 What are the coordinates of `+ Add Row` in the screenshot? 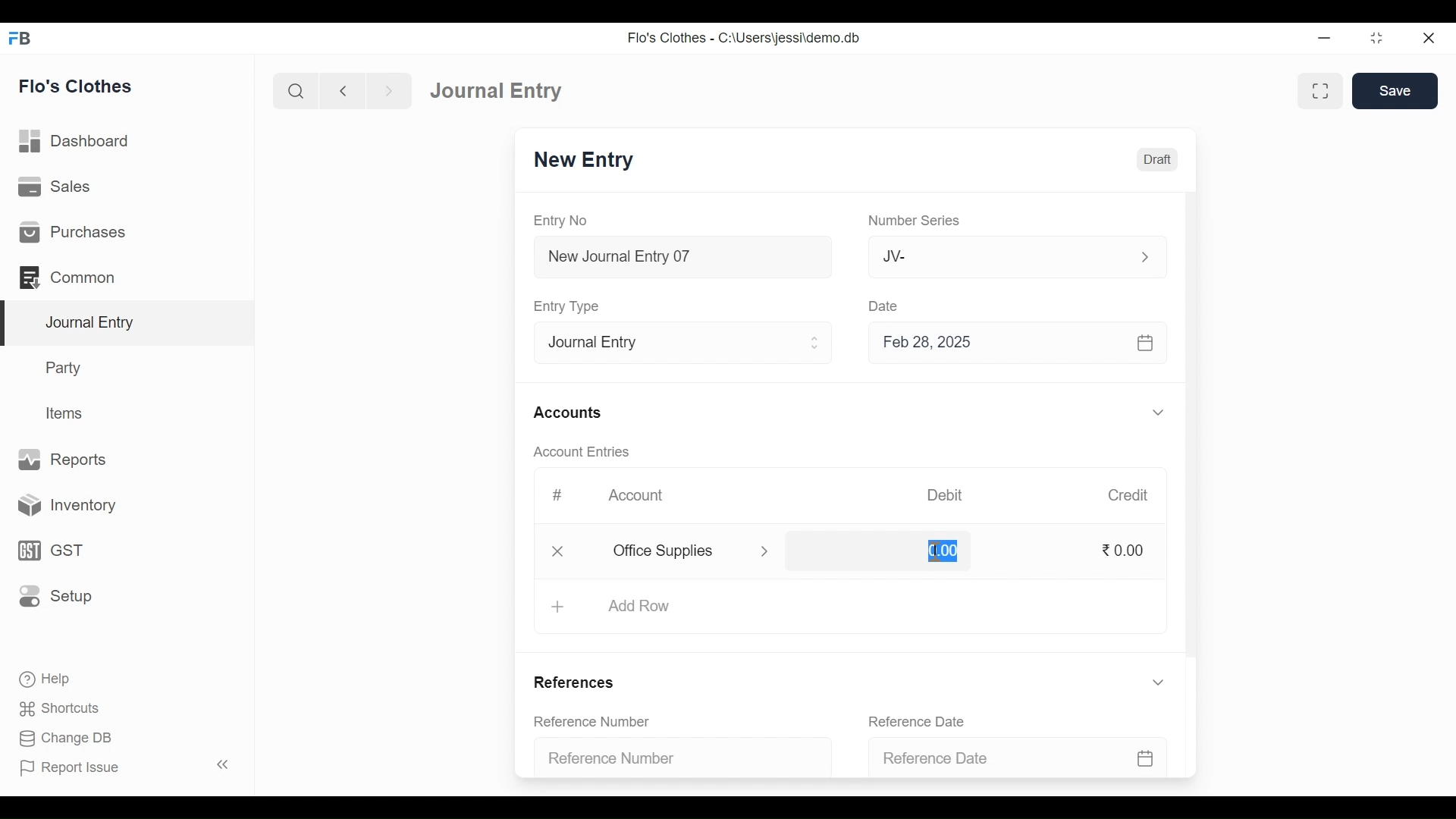 It's located at (633, 607).